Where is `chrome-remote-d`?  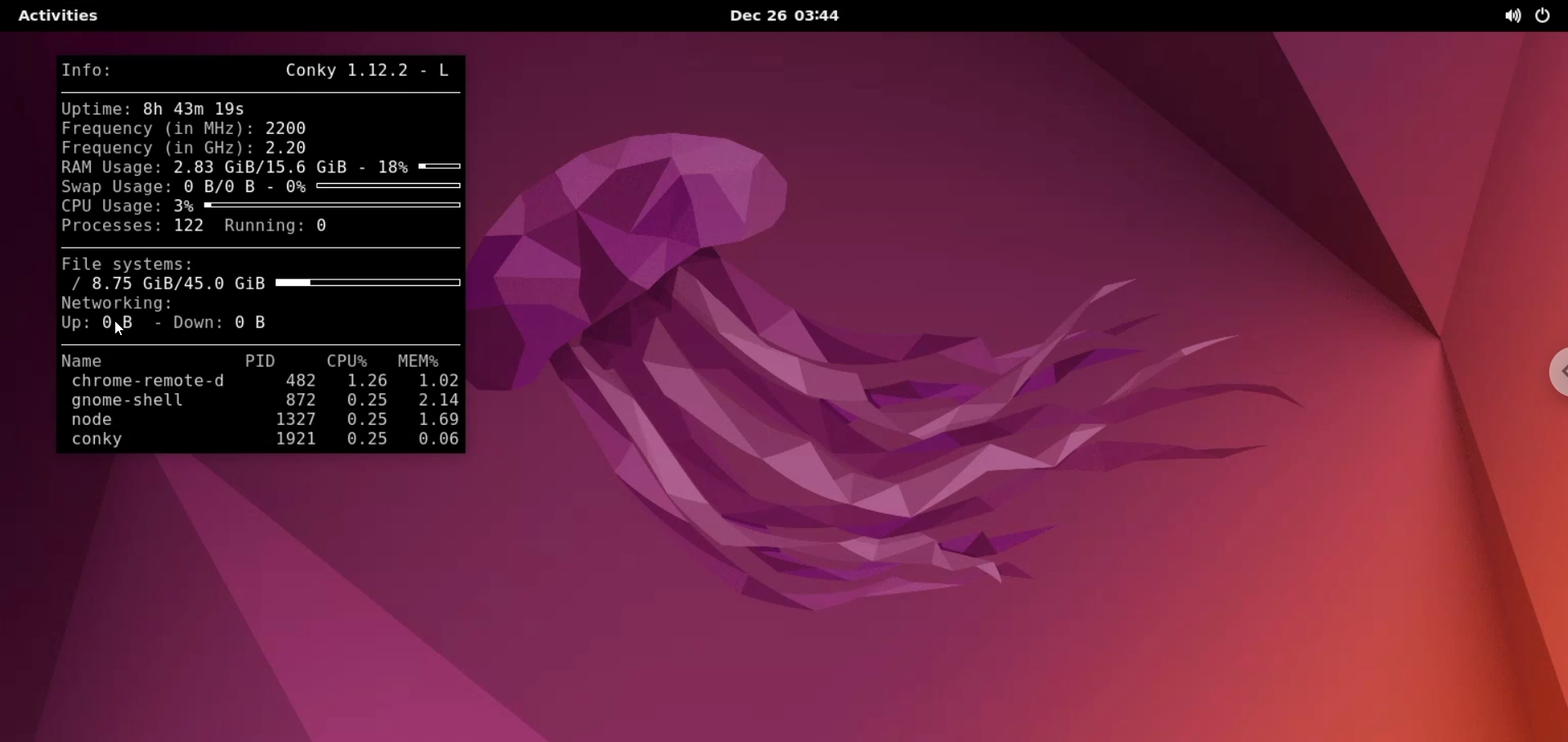 chrome-remote-d is located at coordinates (154, 382).